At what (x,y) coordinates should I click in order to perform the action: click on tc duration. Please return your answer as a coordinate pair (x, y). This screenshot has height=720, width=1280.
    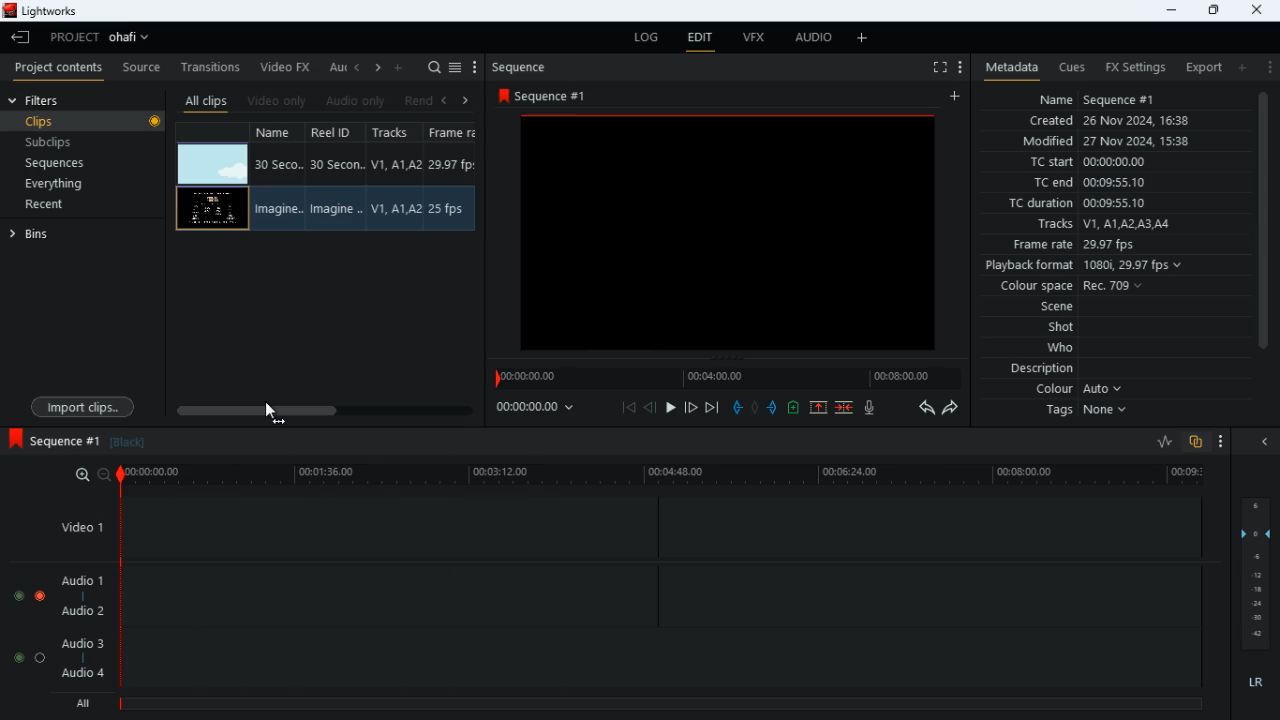
    Looking at the image, I should click on (1075, 203).